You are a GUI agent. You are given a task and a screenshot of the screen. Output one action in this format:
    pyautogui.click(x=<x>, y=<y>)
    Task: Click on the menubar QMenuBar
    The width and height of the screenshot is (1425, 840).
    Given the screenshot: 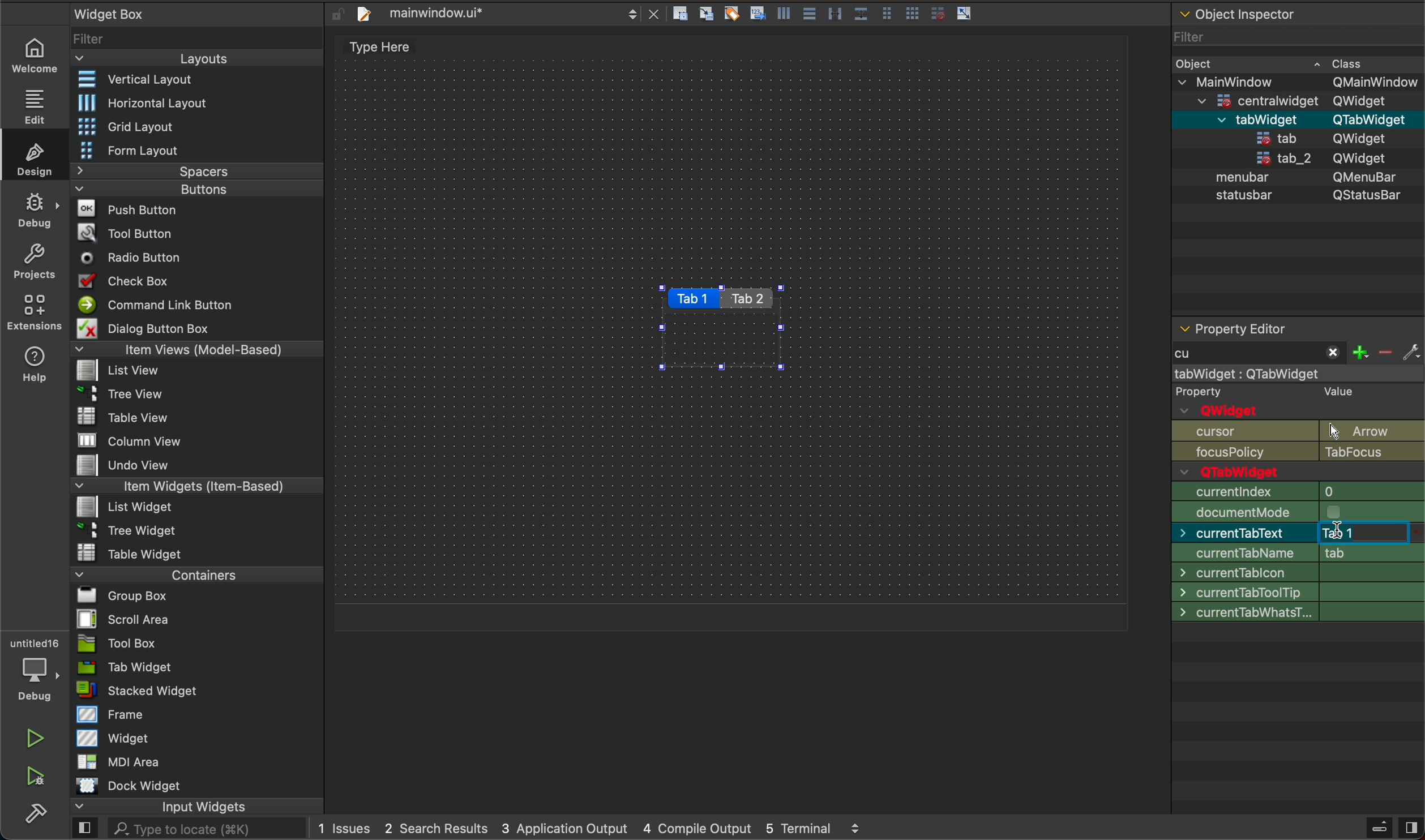 What is the action you would take?
    pyautogui.click(x=1295, y=118)
    